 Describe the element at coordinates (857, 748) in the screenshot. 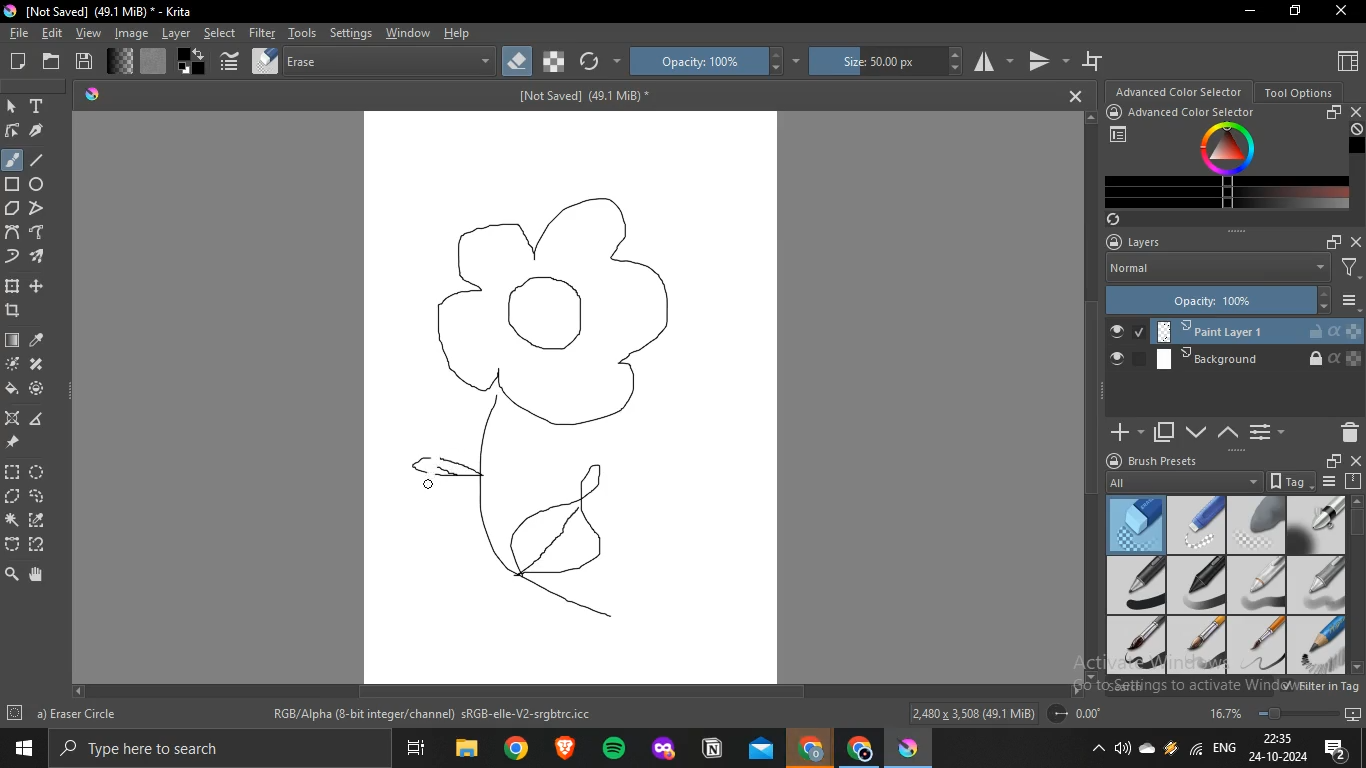

I see `Application` at that location.